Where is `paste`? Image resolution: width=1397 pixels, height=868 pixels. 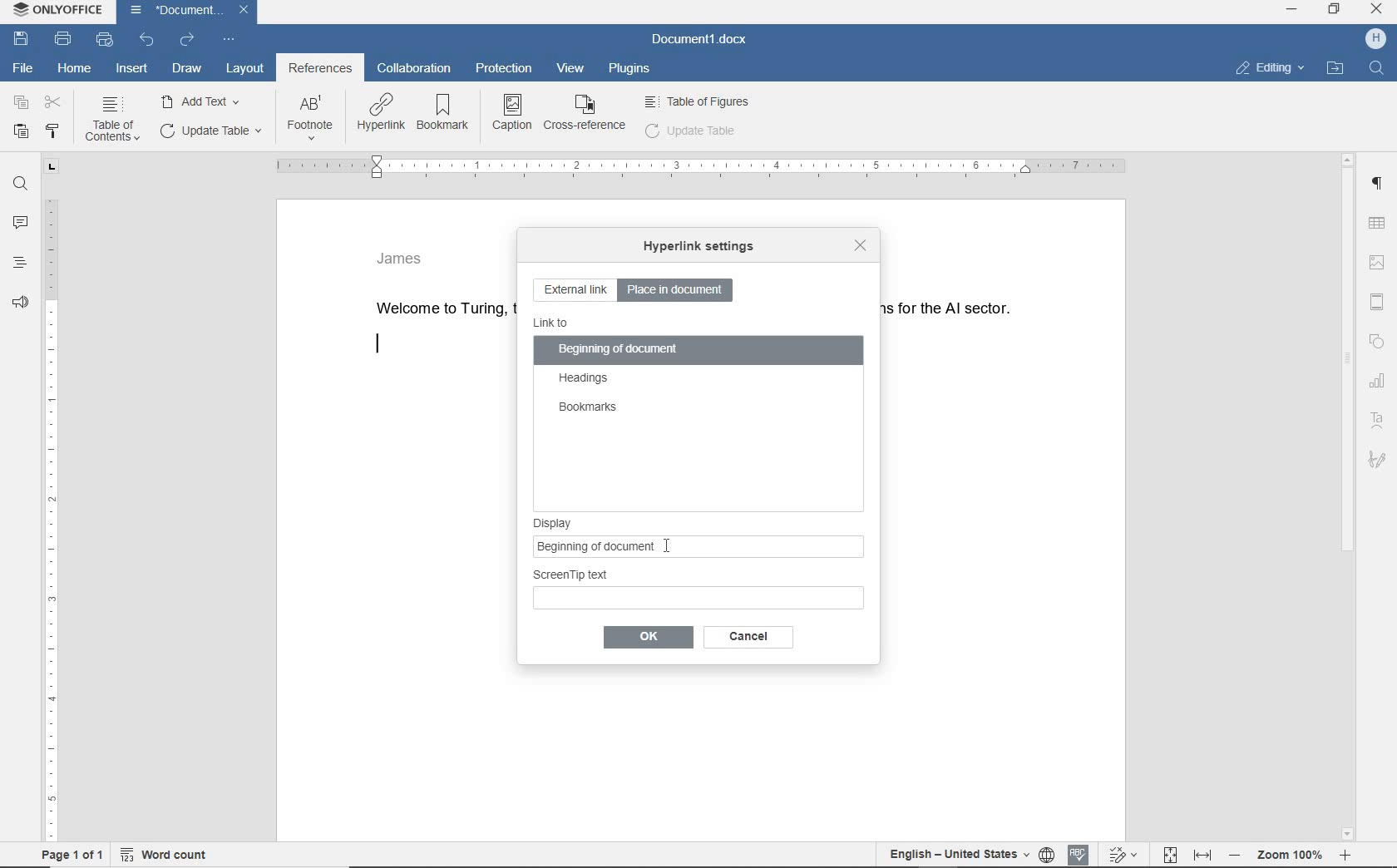 paste is located at coordinates (21, 131).